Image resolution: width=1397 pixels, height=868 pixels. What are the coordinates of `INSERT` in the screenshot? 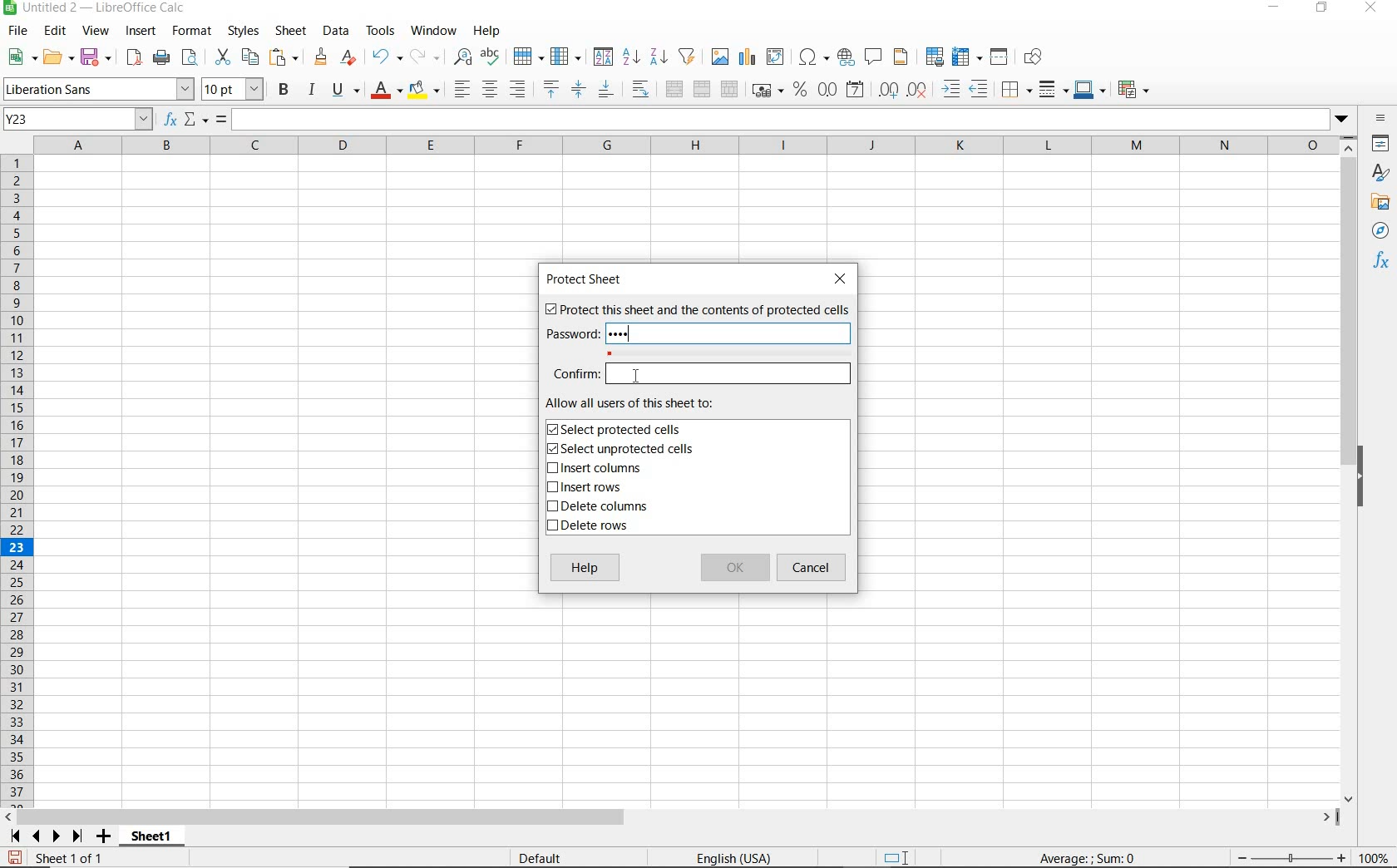 It's located at (141, 32).